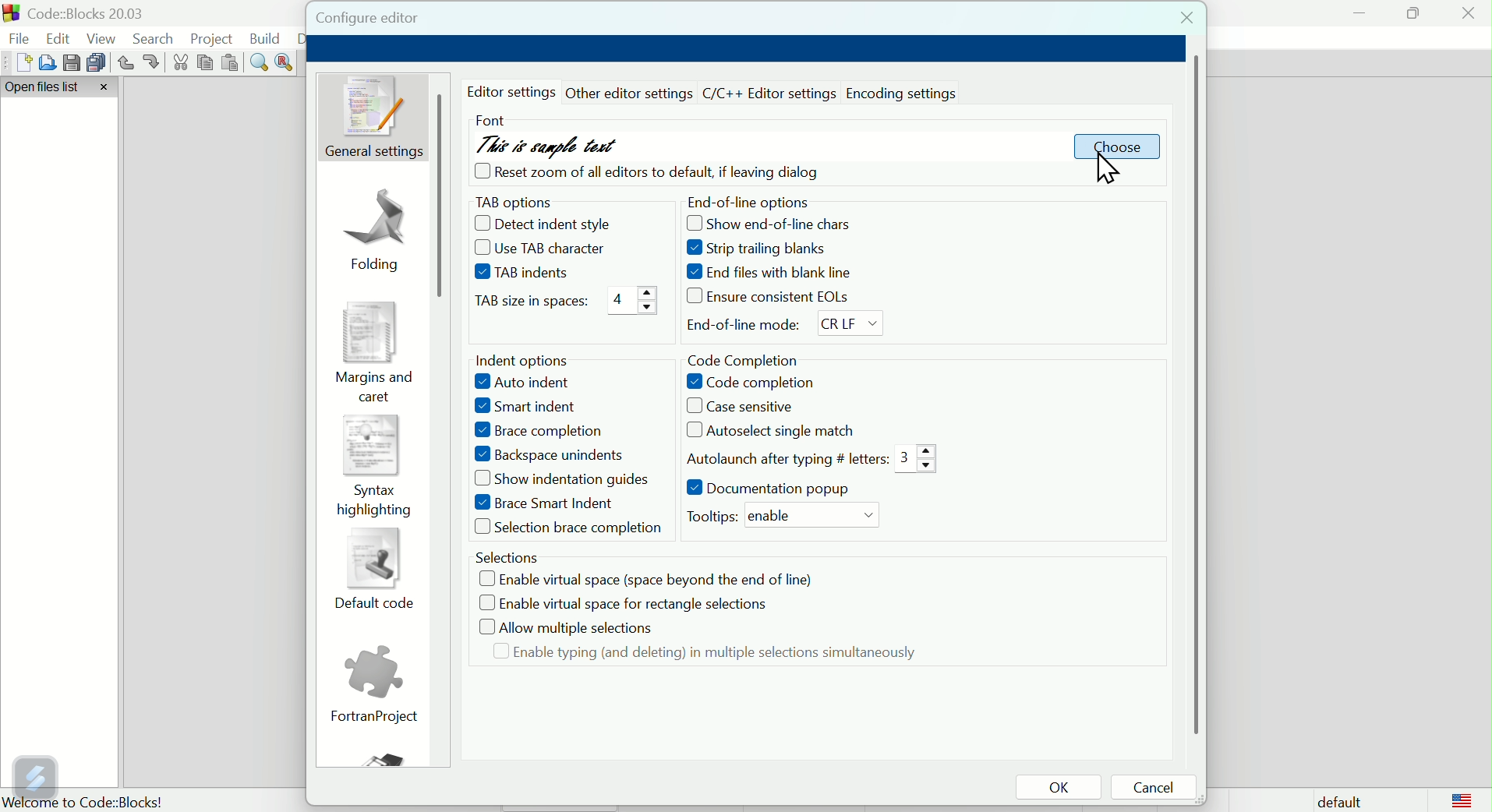  What do you see at coordinates (774, 224) in the screenshot?
I see `show end-of-line chars` at bounding box center [774, 224].